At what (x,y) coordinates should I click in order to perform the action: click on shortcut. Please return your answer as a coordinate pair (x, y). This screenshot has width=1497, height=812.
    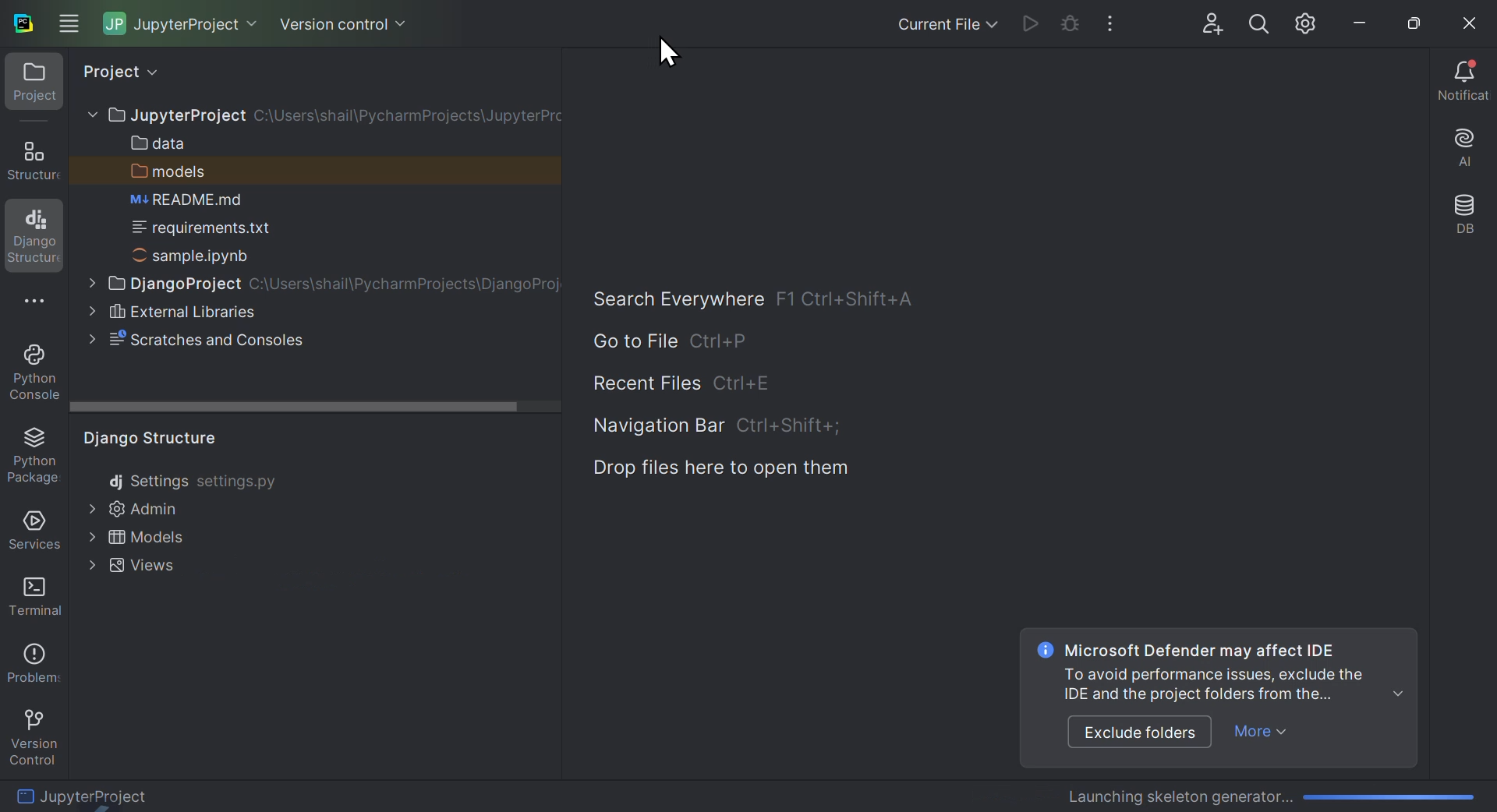
    Looking at the image, I should click on (793, 428).